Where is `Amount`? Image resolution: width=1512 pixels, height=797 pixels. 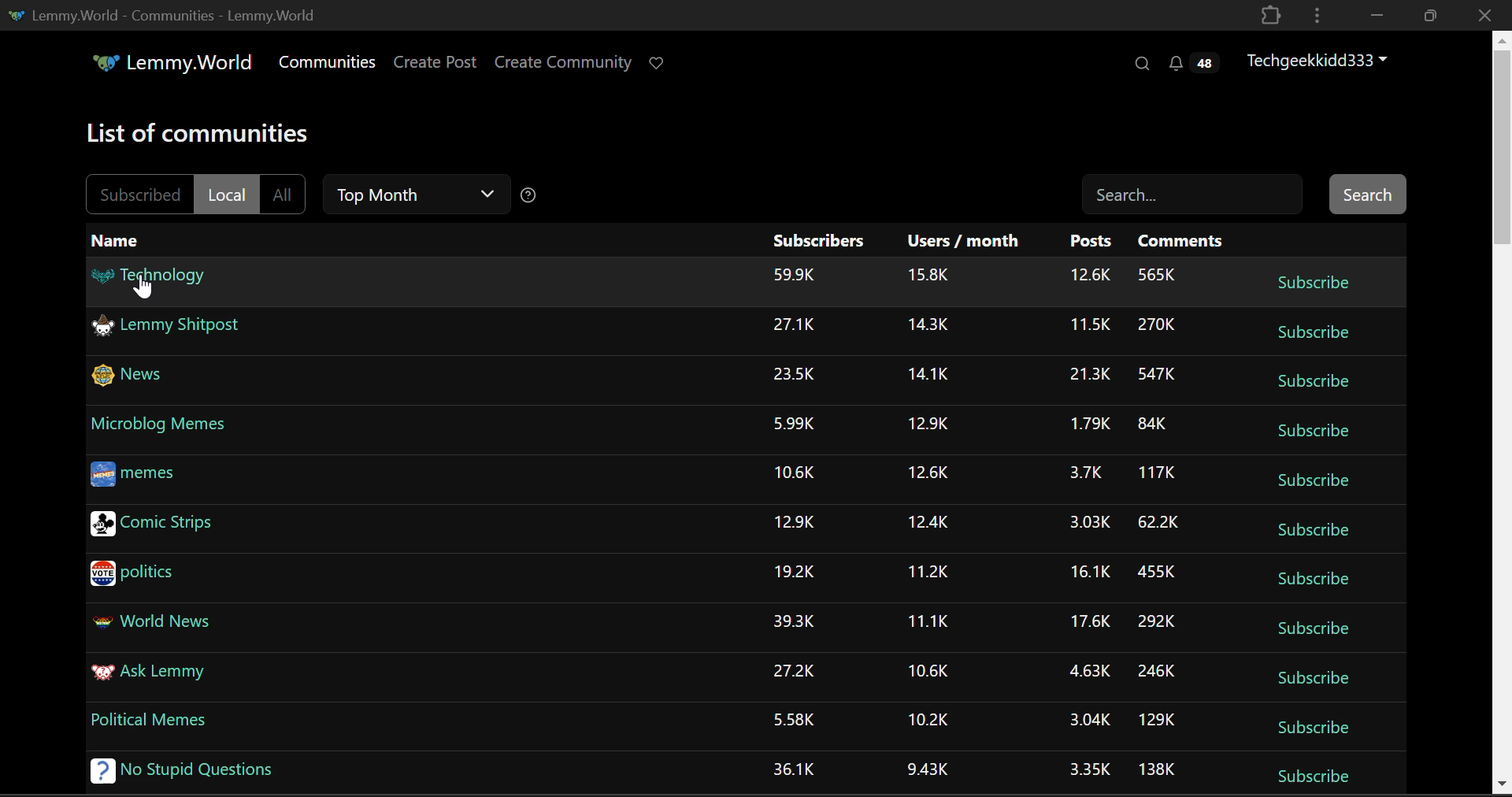 Amount is located at coordinates (928, 275).